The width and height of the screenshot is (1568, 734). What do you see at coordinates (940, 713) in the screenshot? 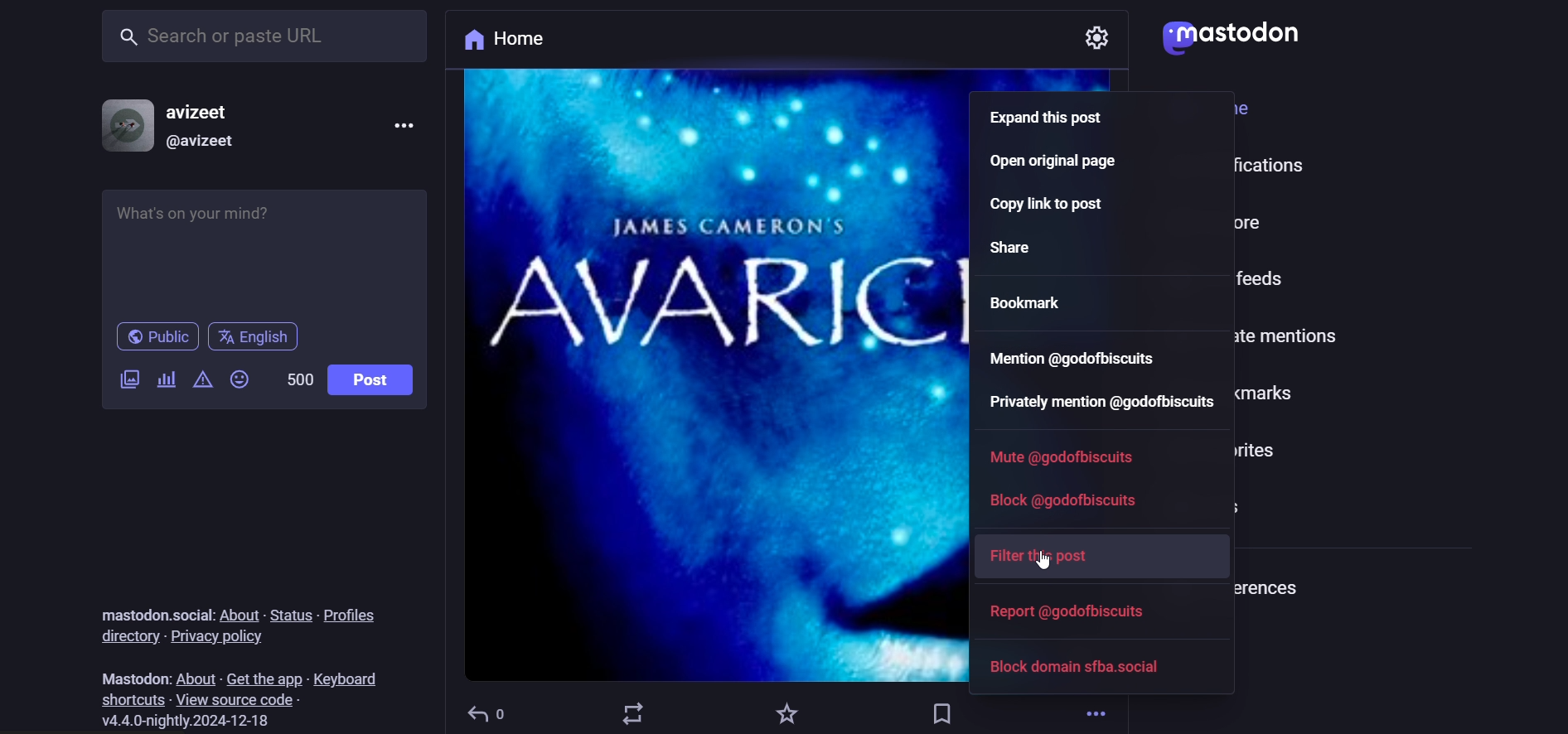
I see `bookmark` at bounding box center [940, 713].